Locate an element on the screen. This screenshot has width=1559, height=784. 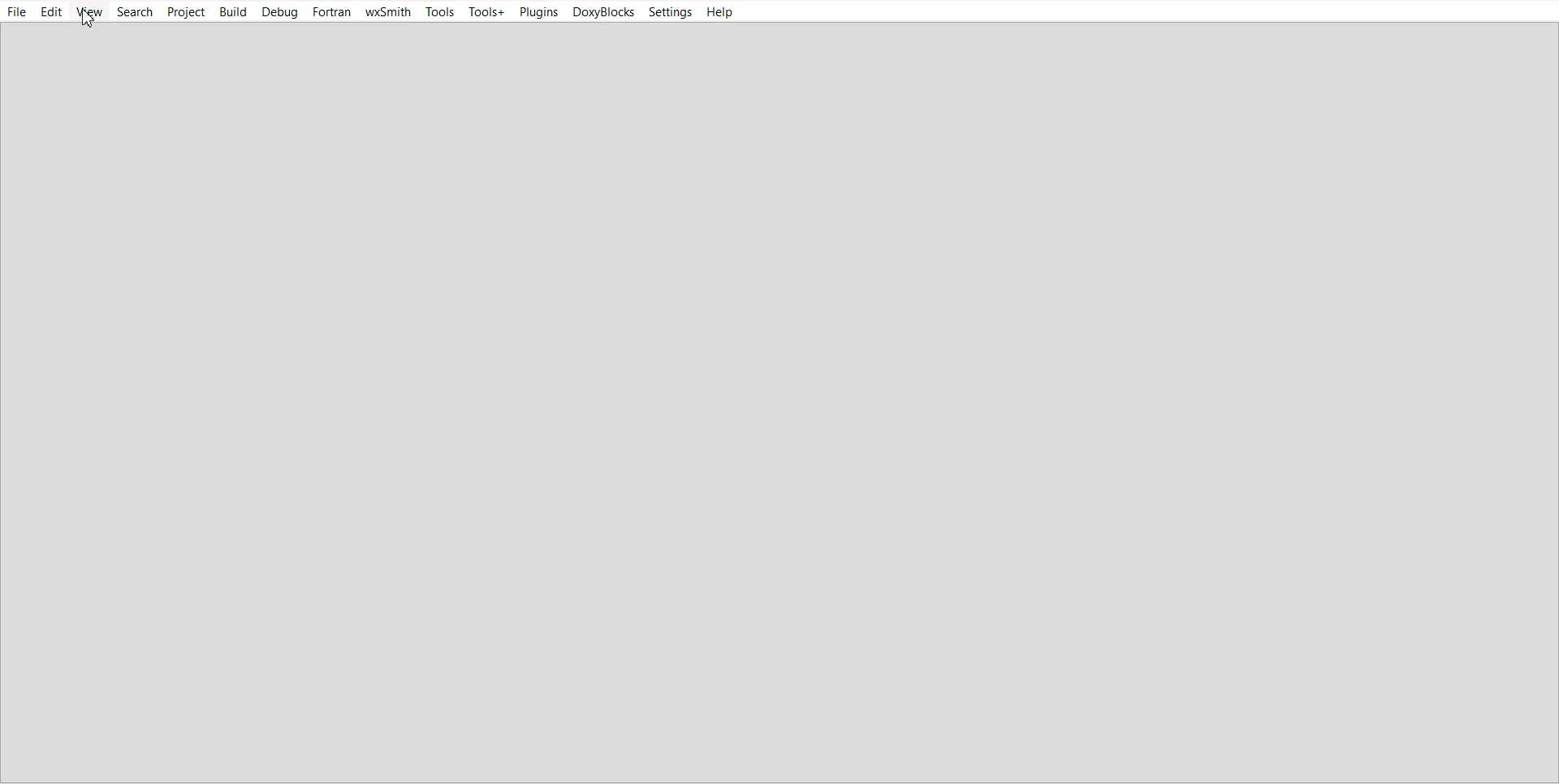
Tools+ is located at coordinates (486, 12).